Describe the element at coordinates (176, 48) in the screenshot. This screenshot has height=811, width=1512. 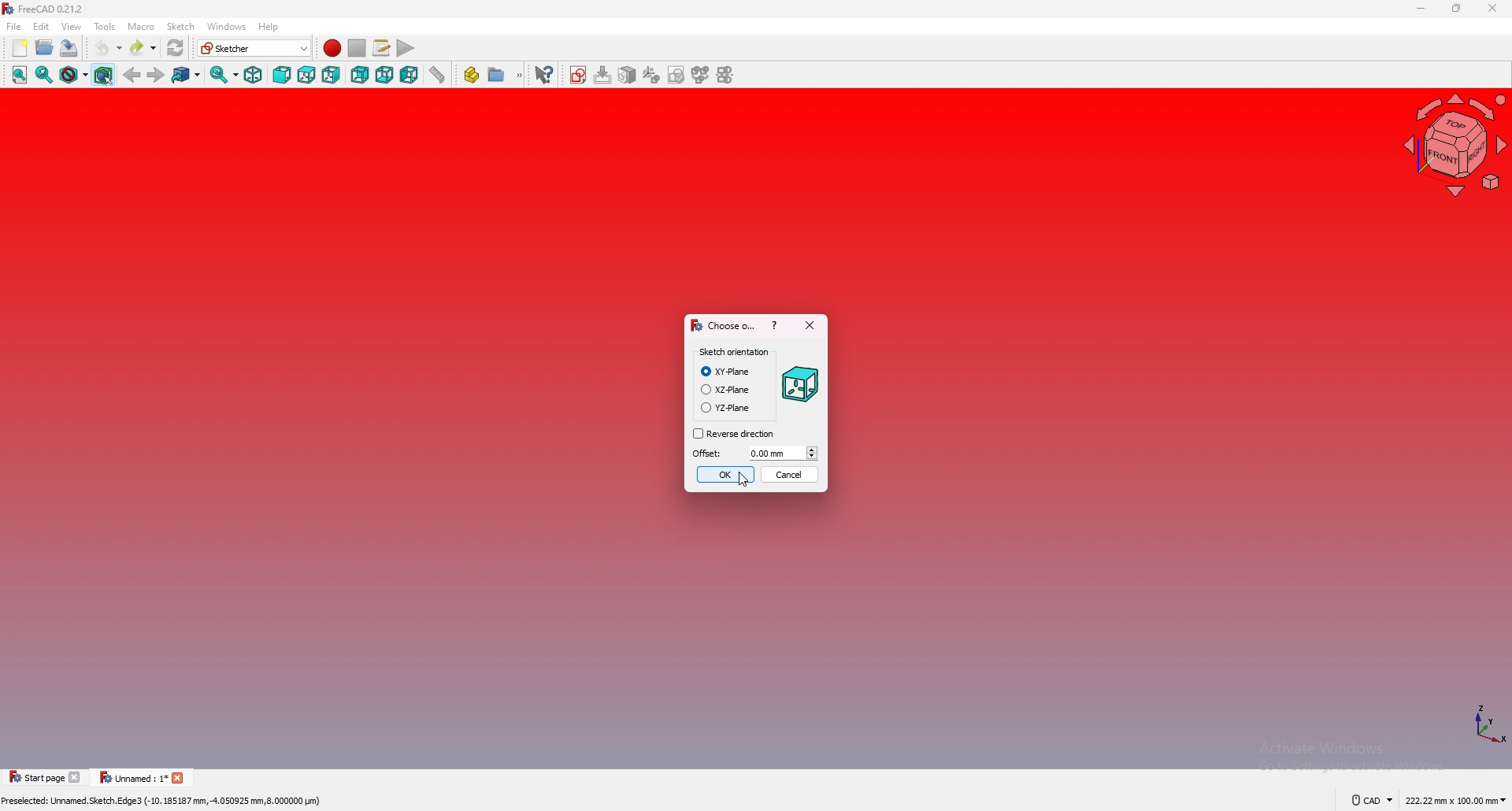
I see `refresh` at that location.